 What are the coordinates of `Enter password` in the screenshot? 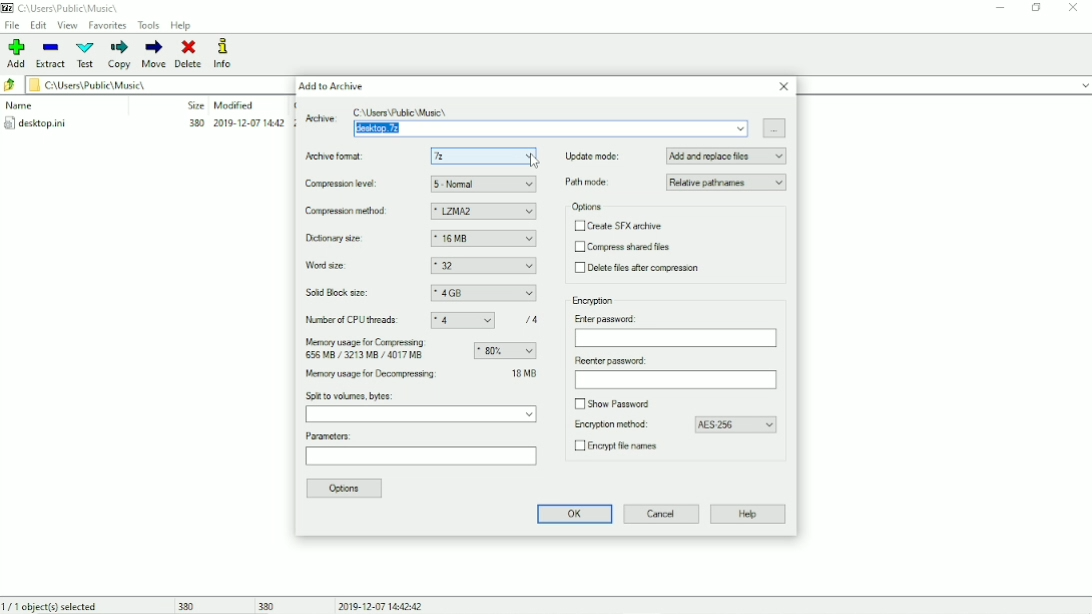 It's located at (674, 330).